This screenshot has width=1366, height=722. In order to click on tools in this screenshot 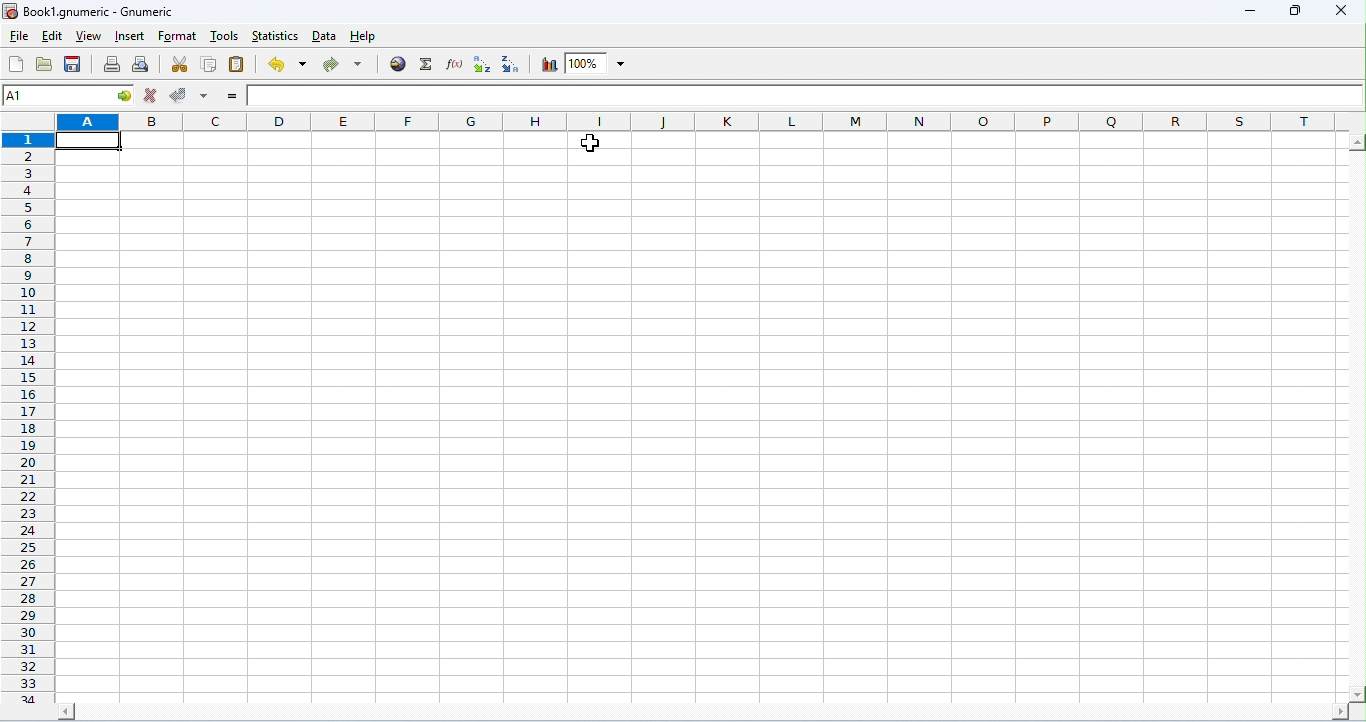, I will do `click(224, 35)`.